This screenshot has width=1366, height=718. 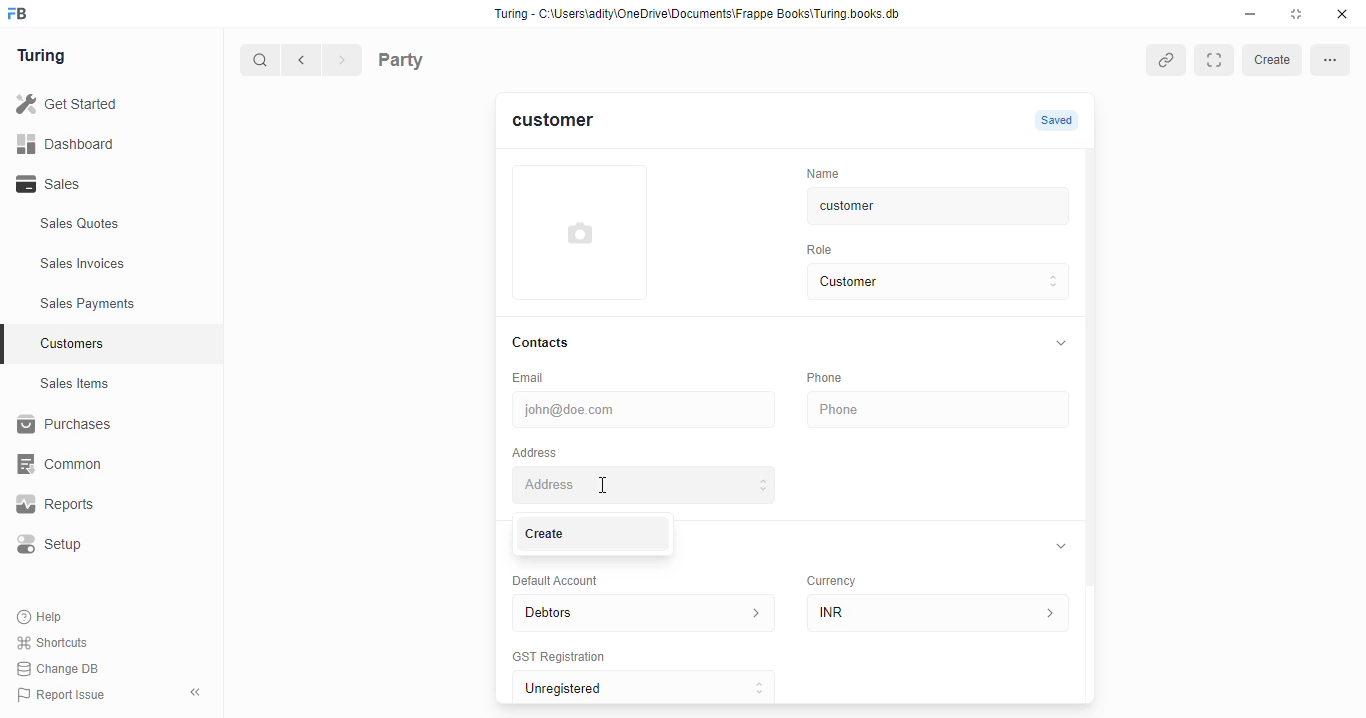 What do you see at coordinates (344, 62) in the screenshot?
I see `forward` at bounding box center [344, 62].